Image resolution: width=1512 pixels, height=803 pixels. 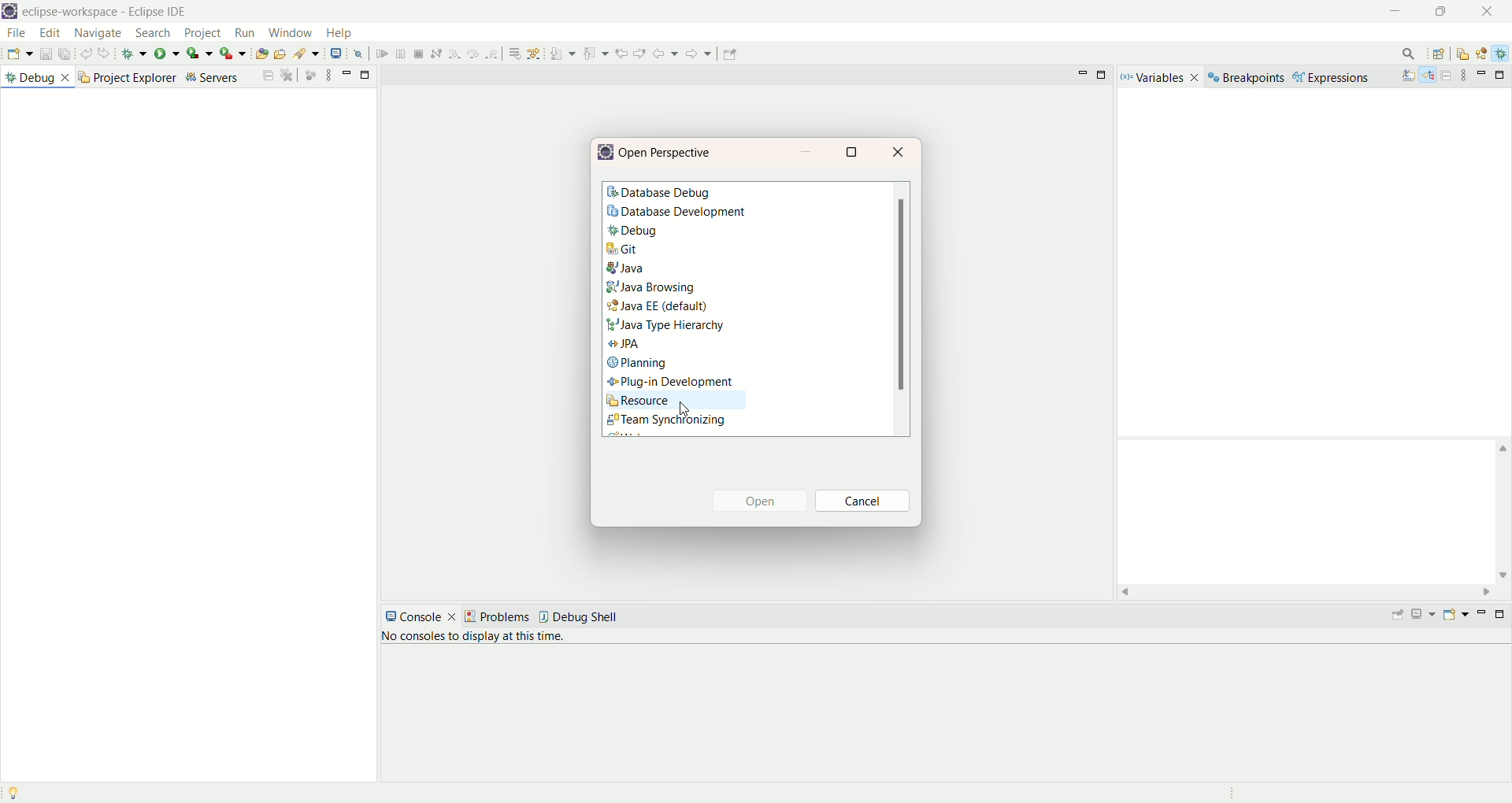 What do you see at coordinates (1406, 75) in the screenshot?
I see `show type name` at bounding box center [1406, 75].